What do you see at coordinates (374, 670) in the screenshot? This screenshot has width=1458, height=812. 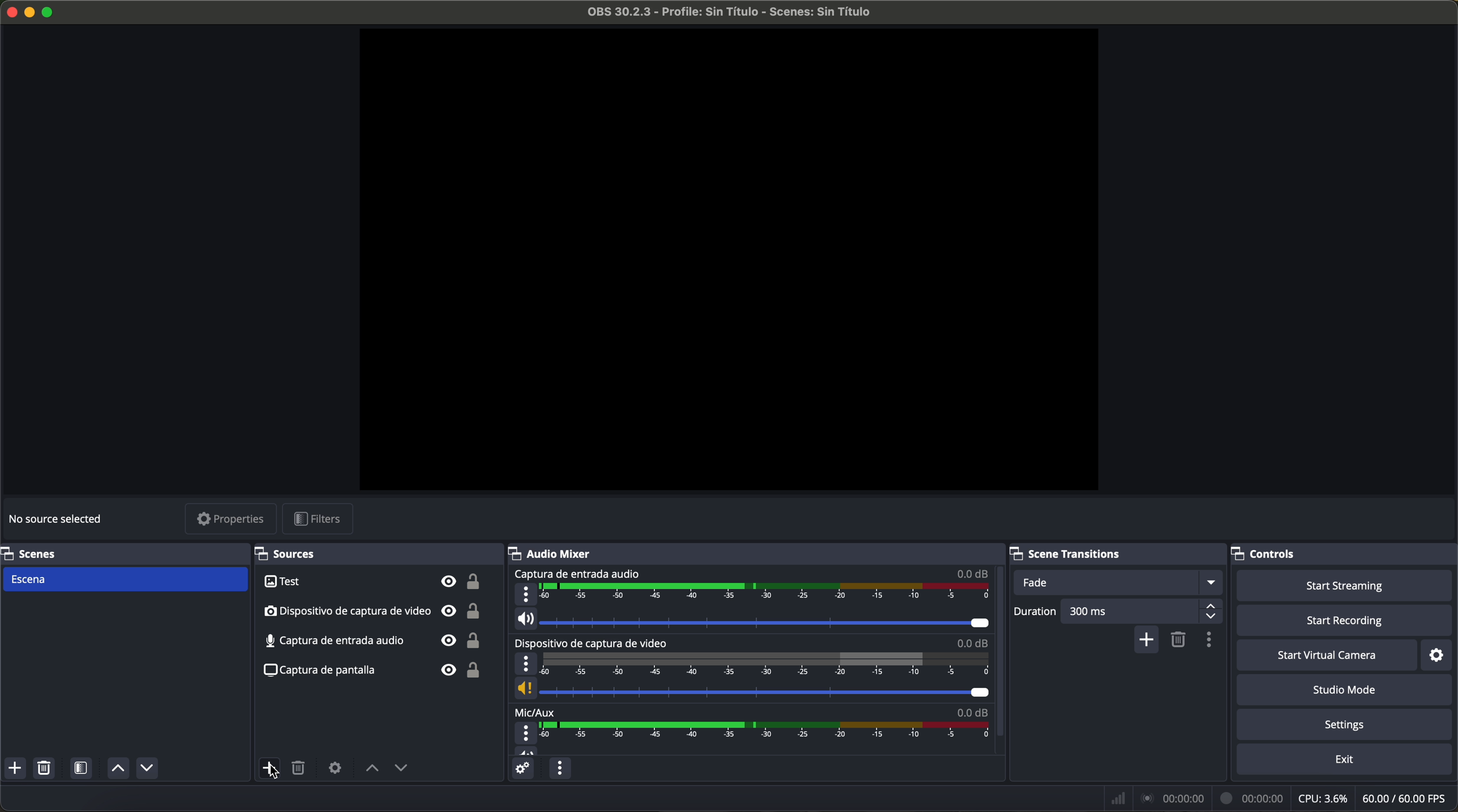 I see `screenshot` at bounding box center [374, 670].